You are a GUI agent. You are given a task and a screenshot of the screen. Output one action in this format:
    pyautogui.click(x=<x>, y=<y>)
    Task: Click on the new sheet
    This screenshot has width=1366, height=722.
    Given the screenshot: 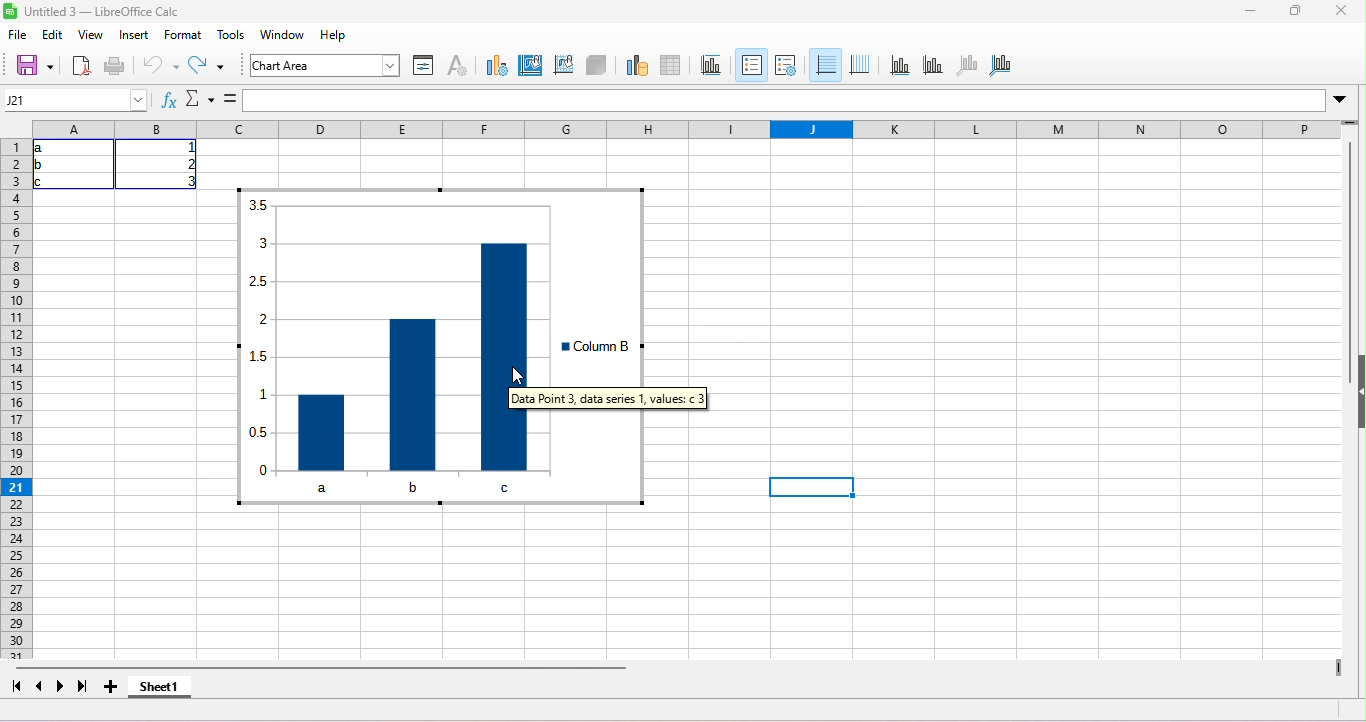 What is the action you would take?
    pyautogui.click(x=117, y=689)
    